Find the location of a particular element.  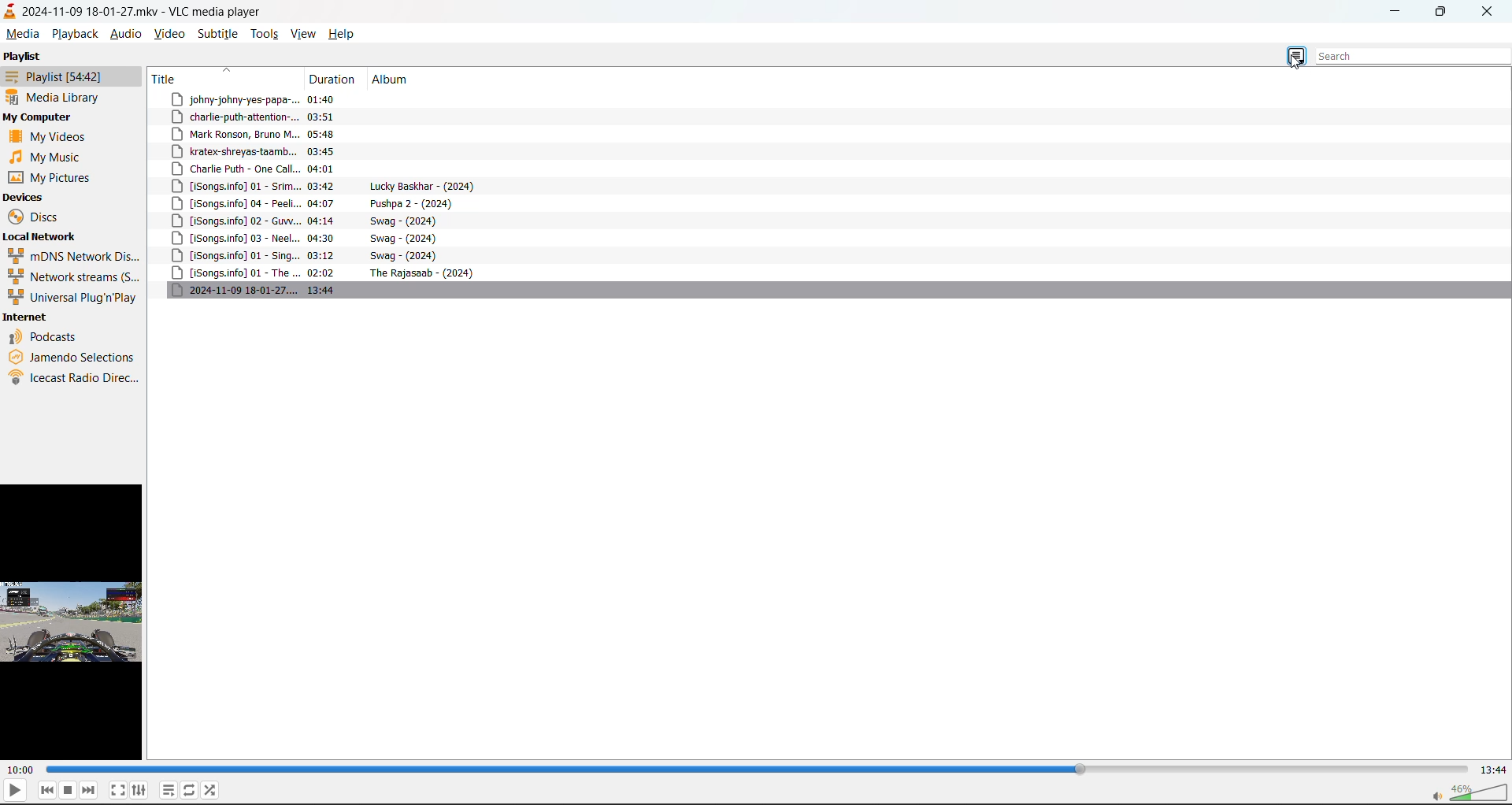

my computer is located at coordinates (37, 117).